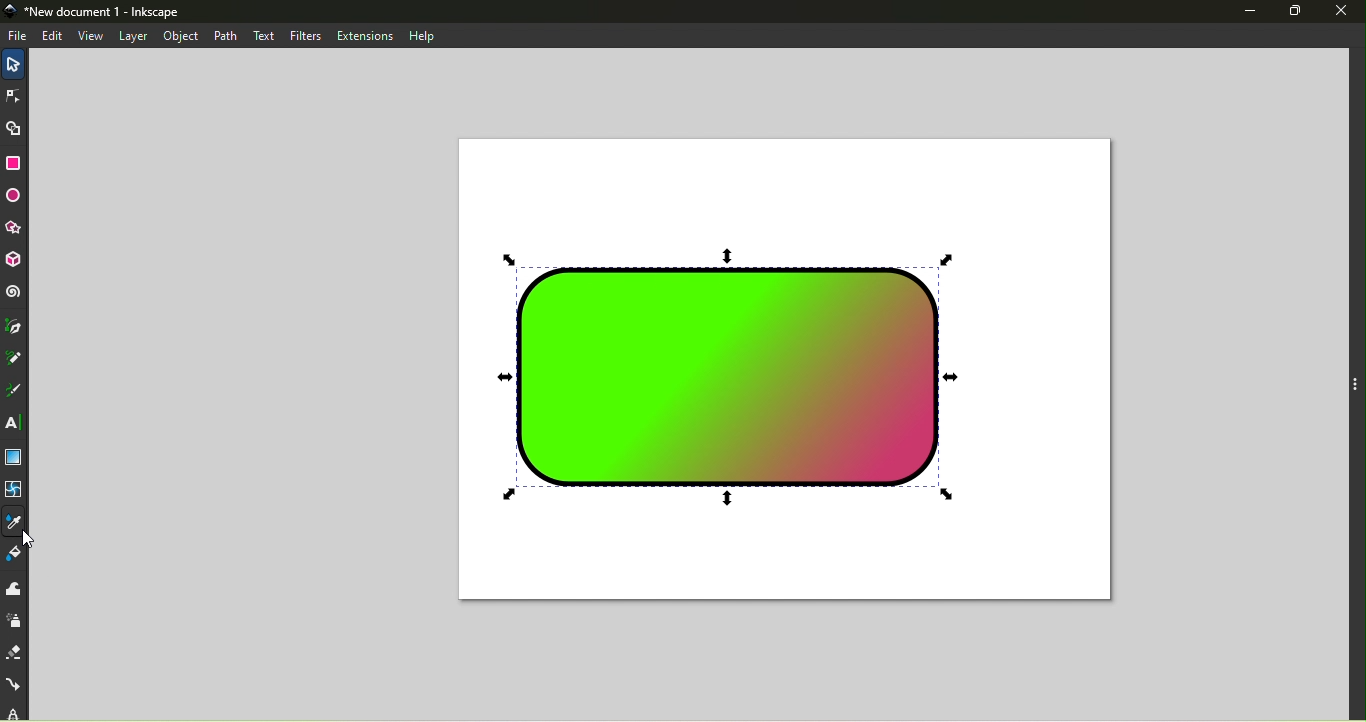  I want to click on Paint bucket tool, so click(18, 556).